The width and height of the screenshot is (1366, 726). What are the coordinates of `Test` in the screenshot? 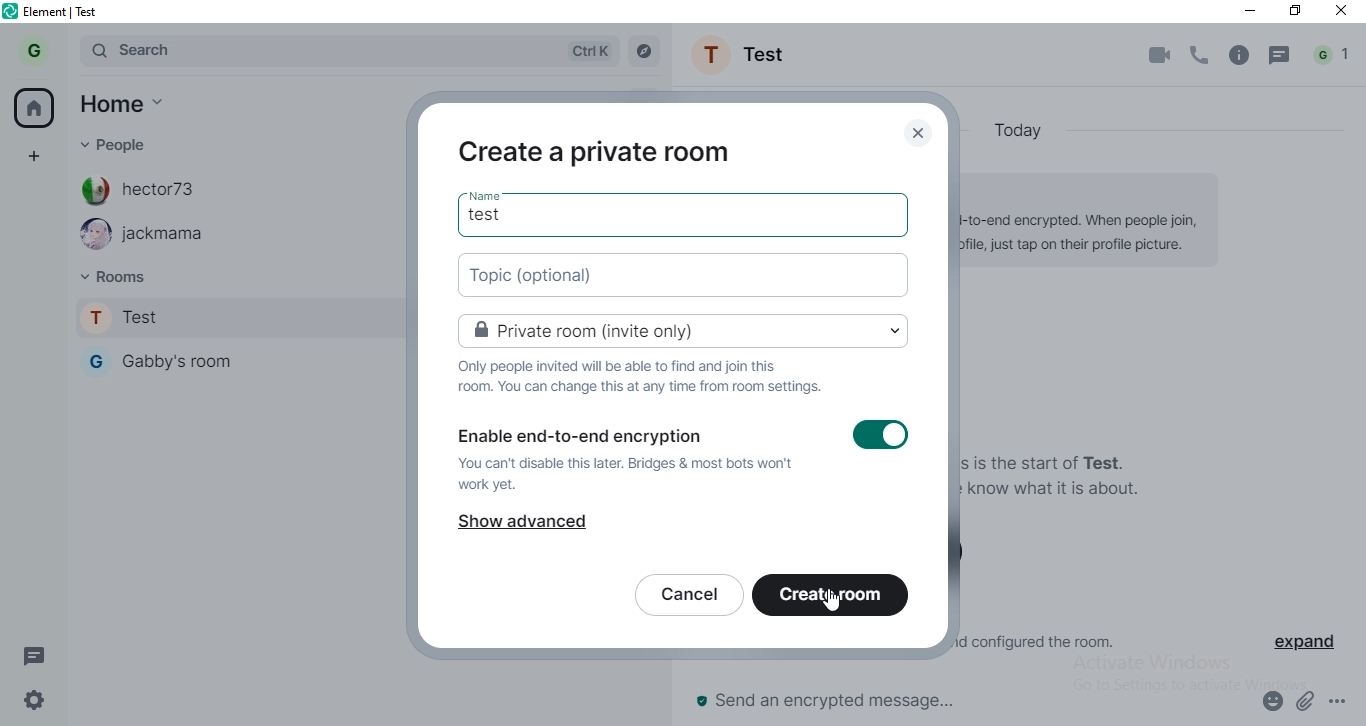 It's located at (745, 54).